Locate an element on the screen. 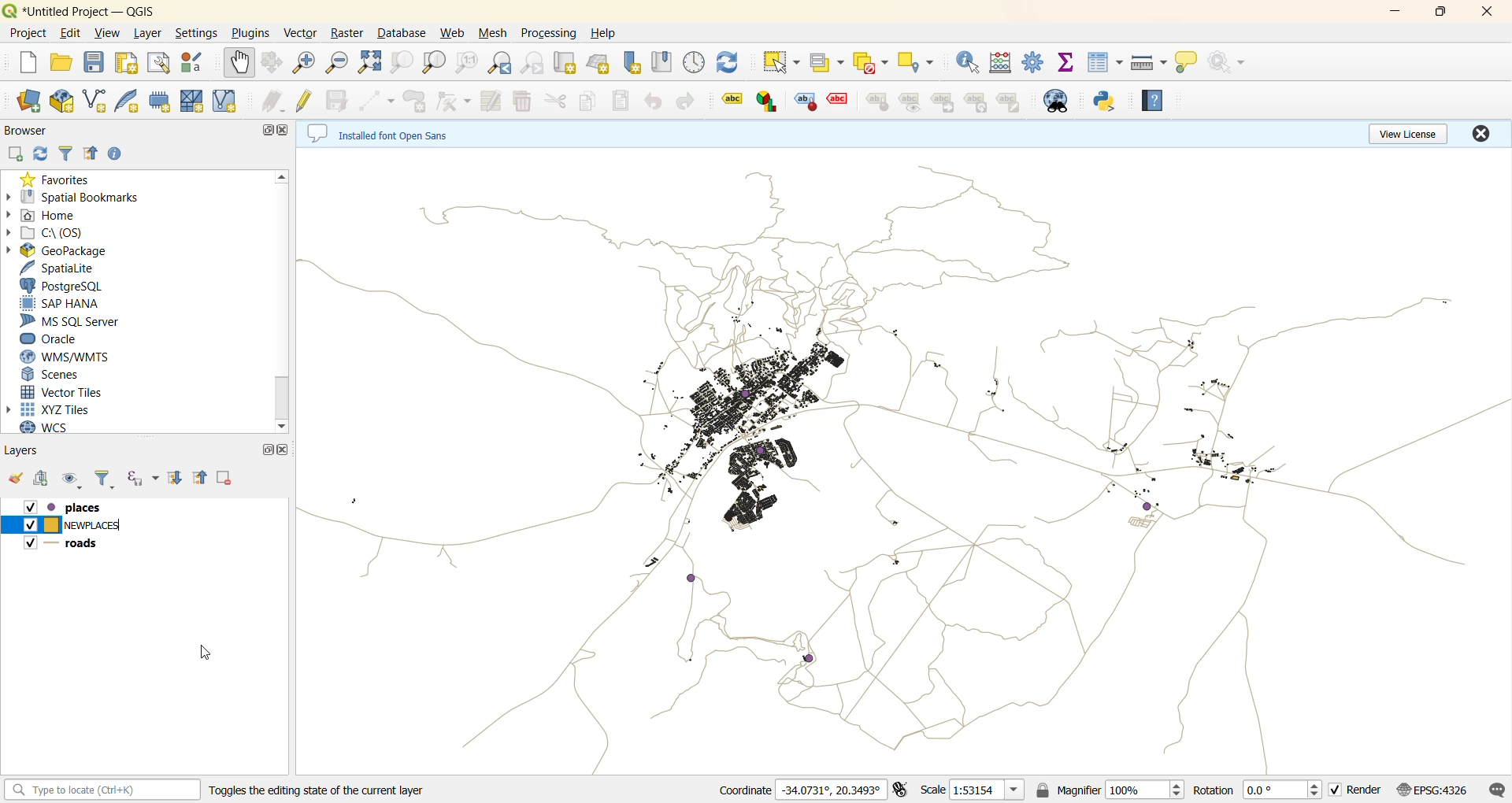 The height and width of the screenshot is (803, 1512). filter by expression is located at coordinates (139, 479).